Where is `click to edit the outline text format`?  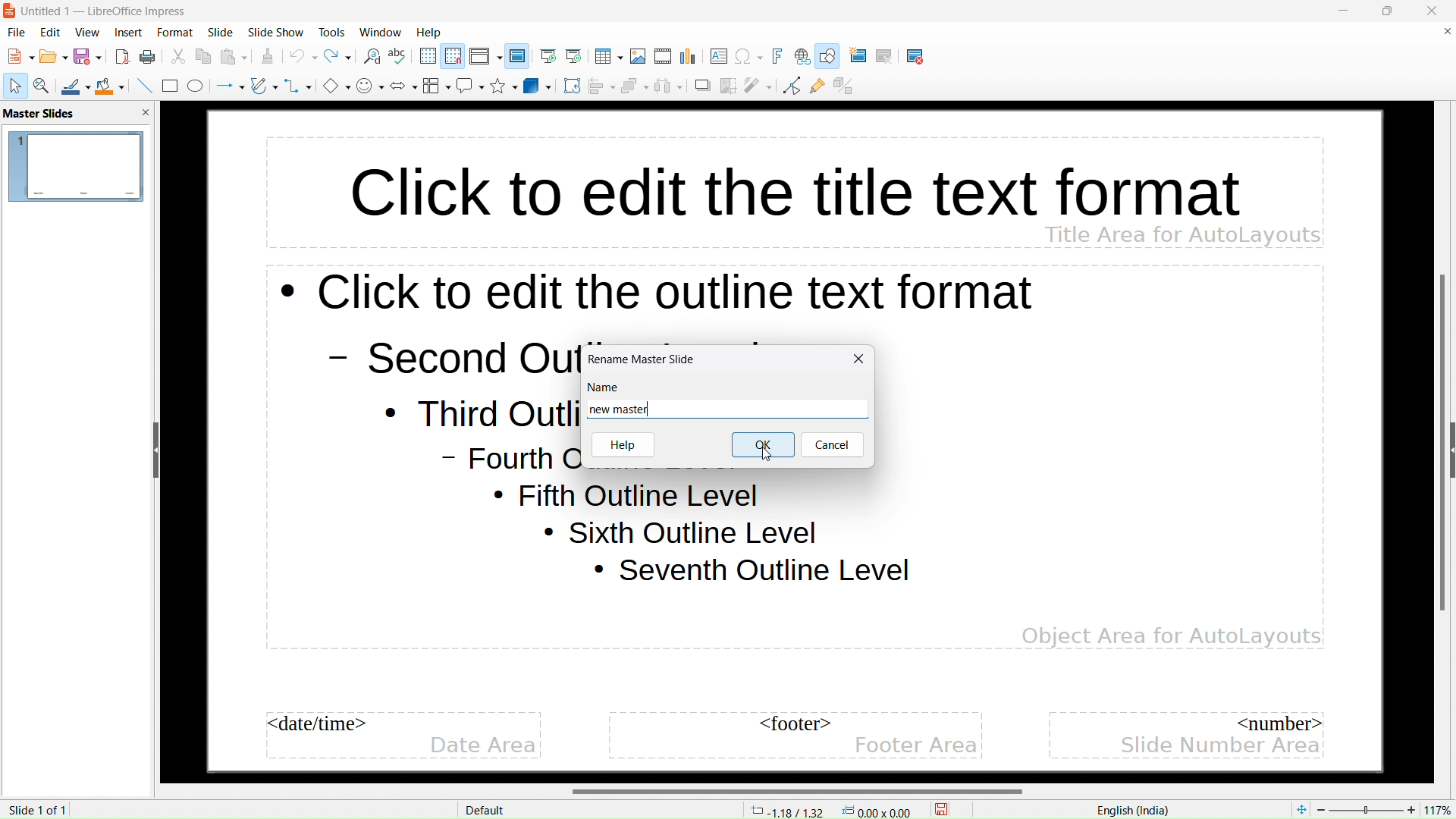 click to edit the outline text format is located at coordinates (664, 296).